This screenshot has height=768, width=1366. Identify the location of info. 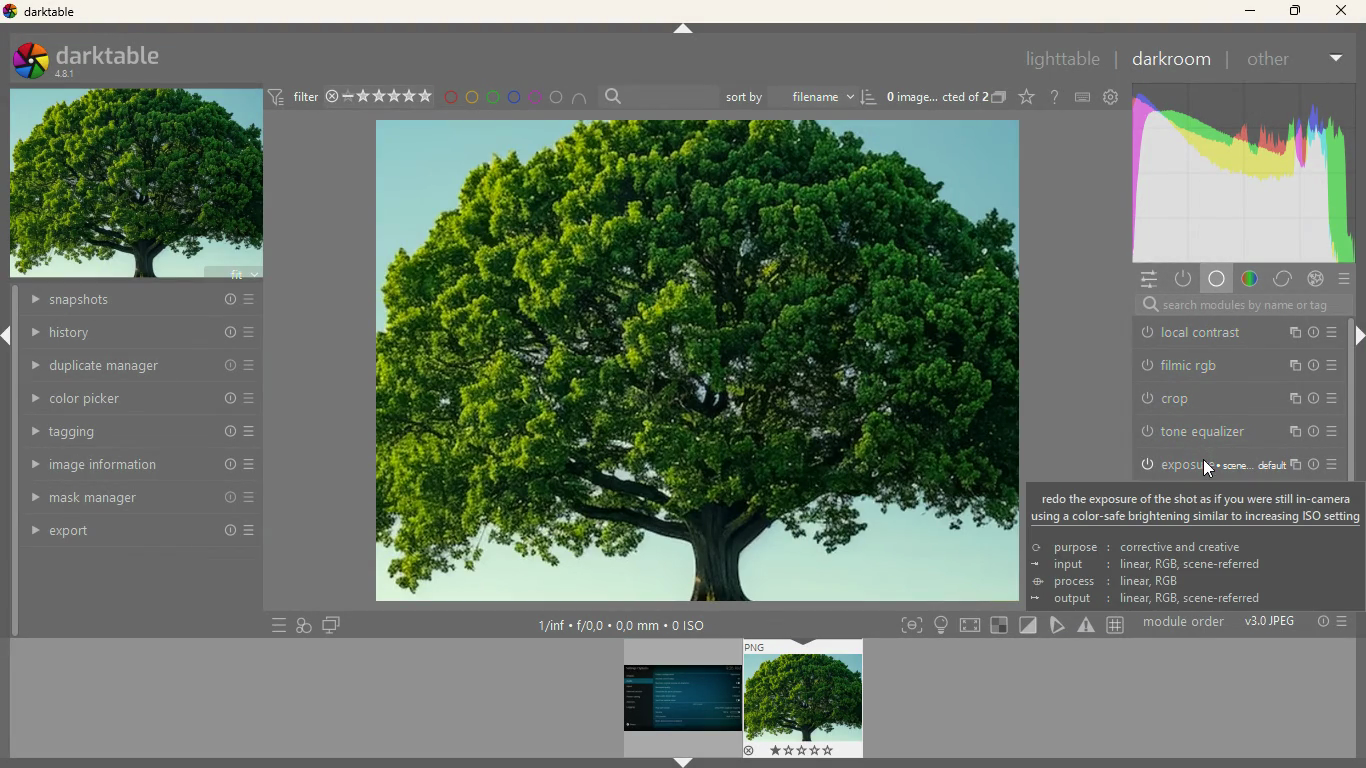
(1293, 396).